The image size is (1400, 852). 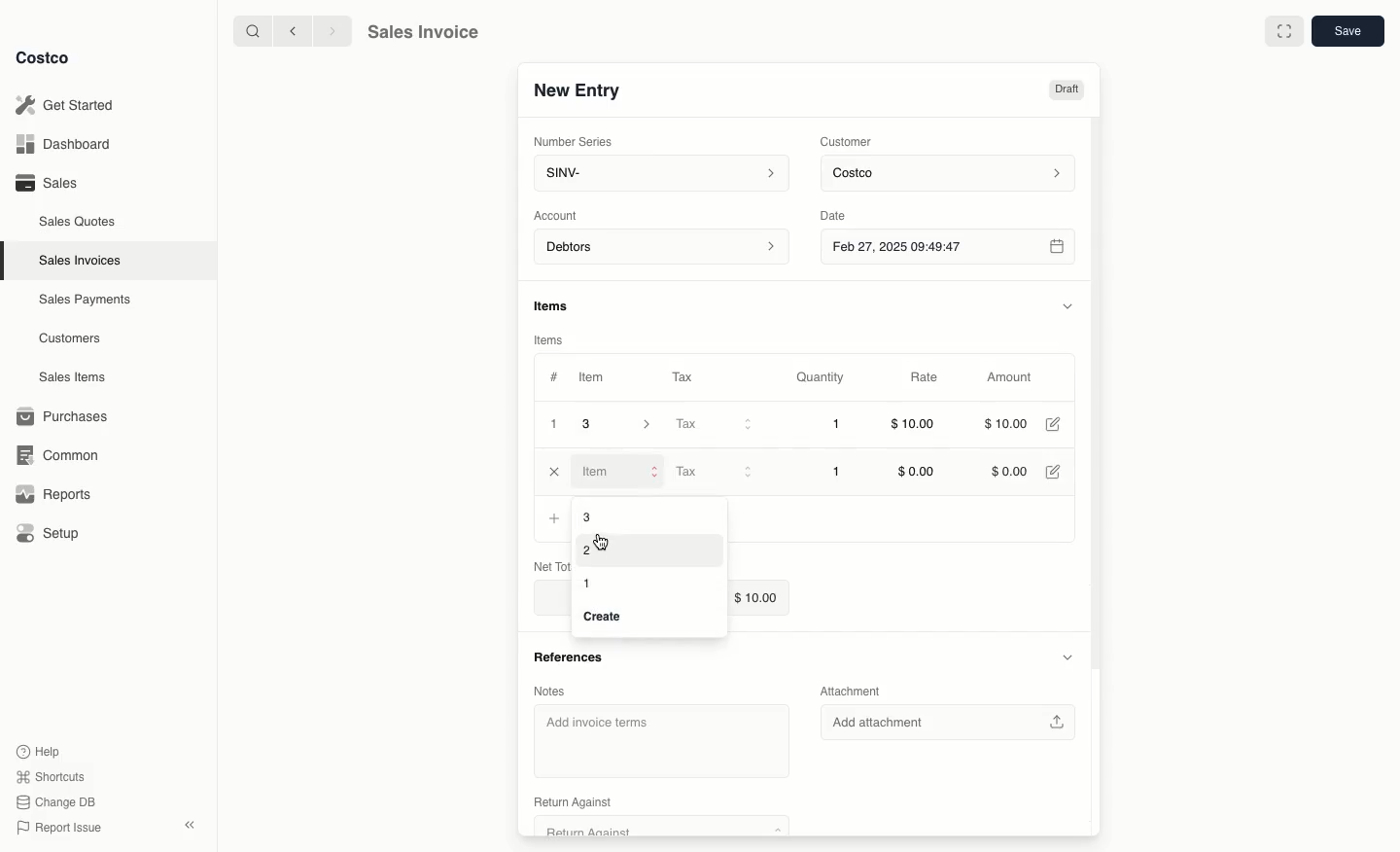 I want to click on Full width toggle, so click(x=1283, y=31).